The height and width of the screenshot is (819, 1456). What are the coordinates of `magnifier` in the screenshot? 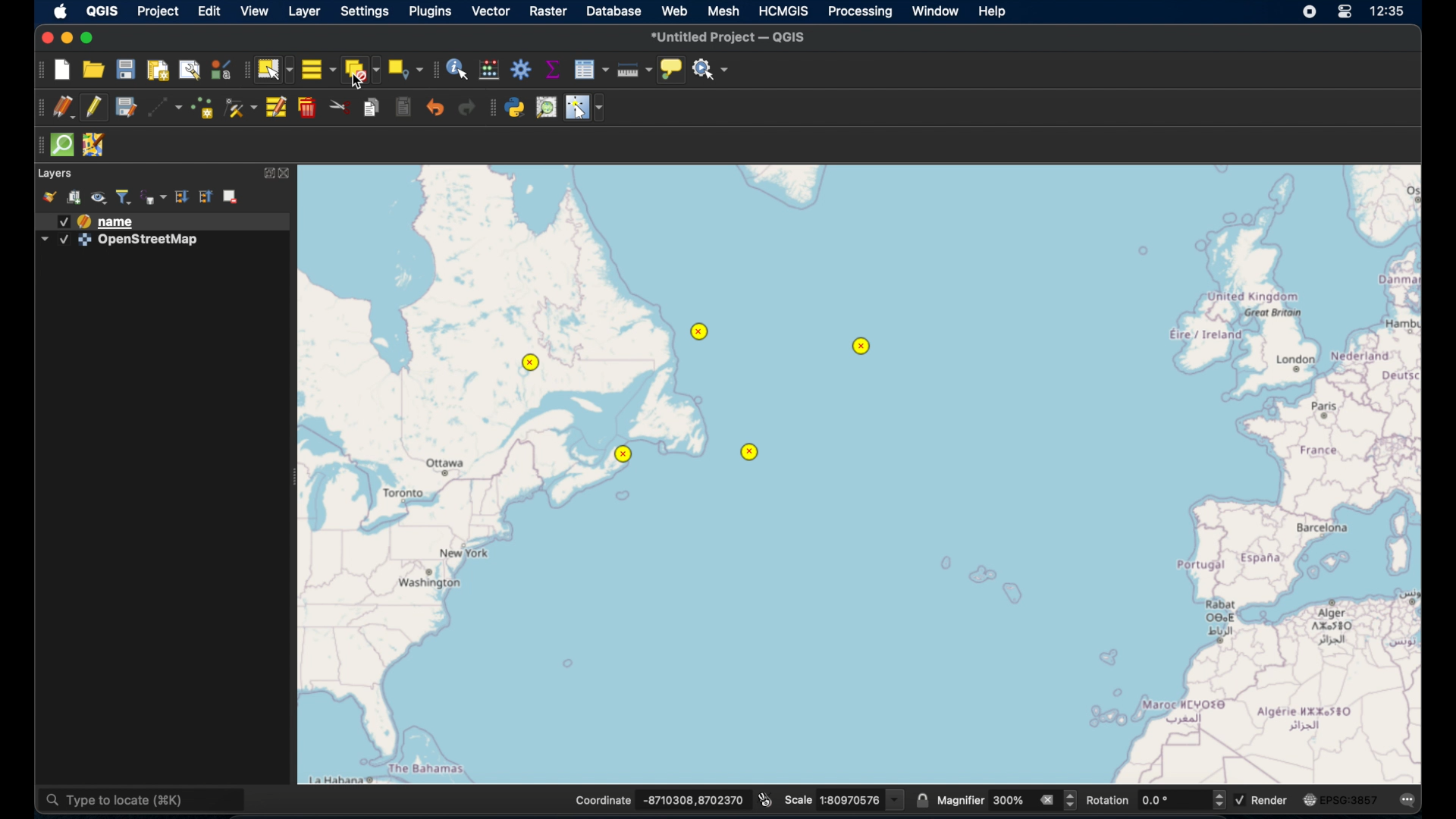 It's located at (961, 800).